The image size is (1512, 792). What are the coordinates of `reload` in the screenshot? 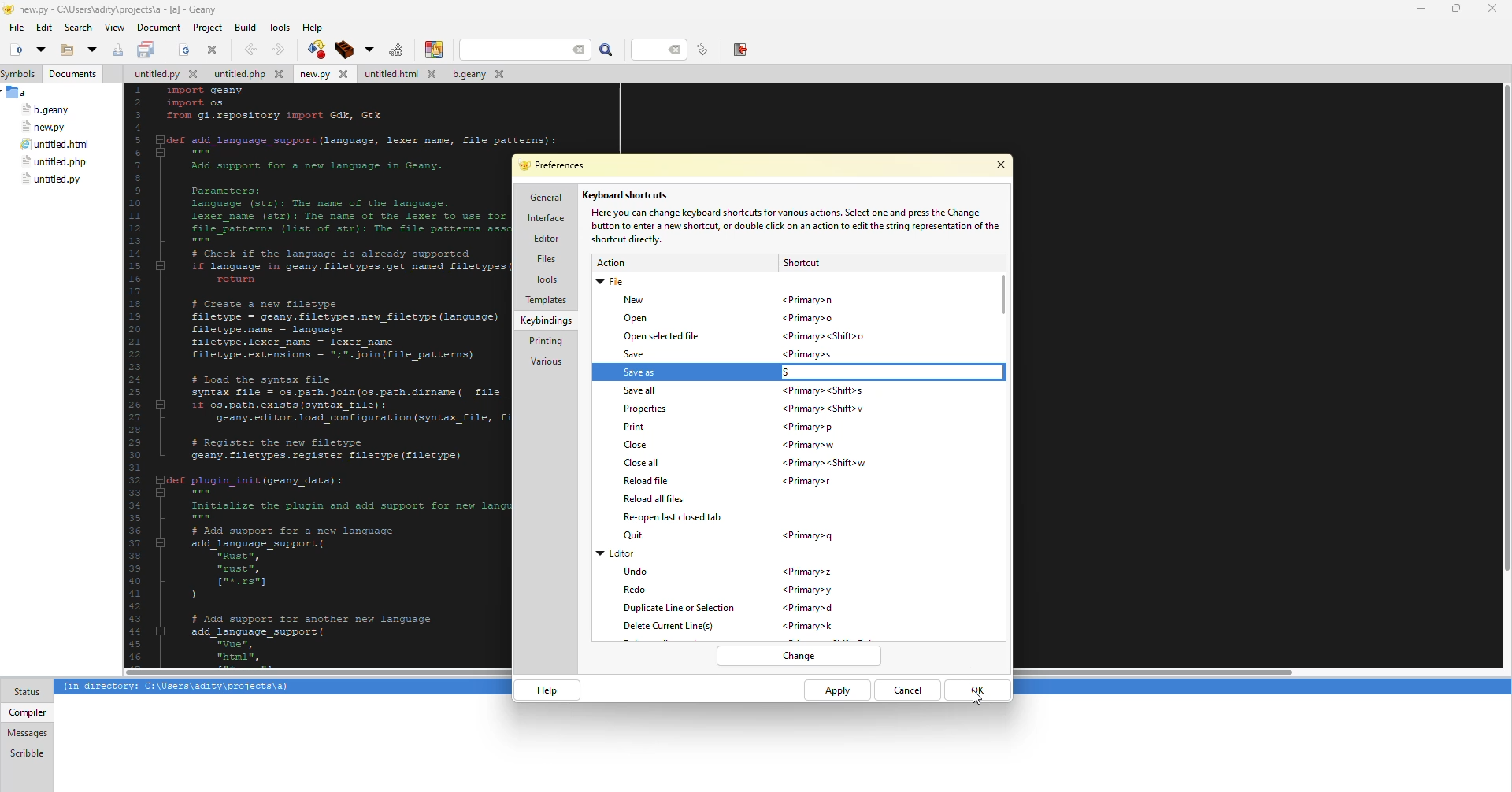 It's located at (646, 481).